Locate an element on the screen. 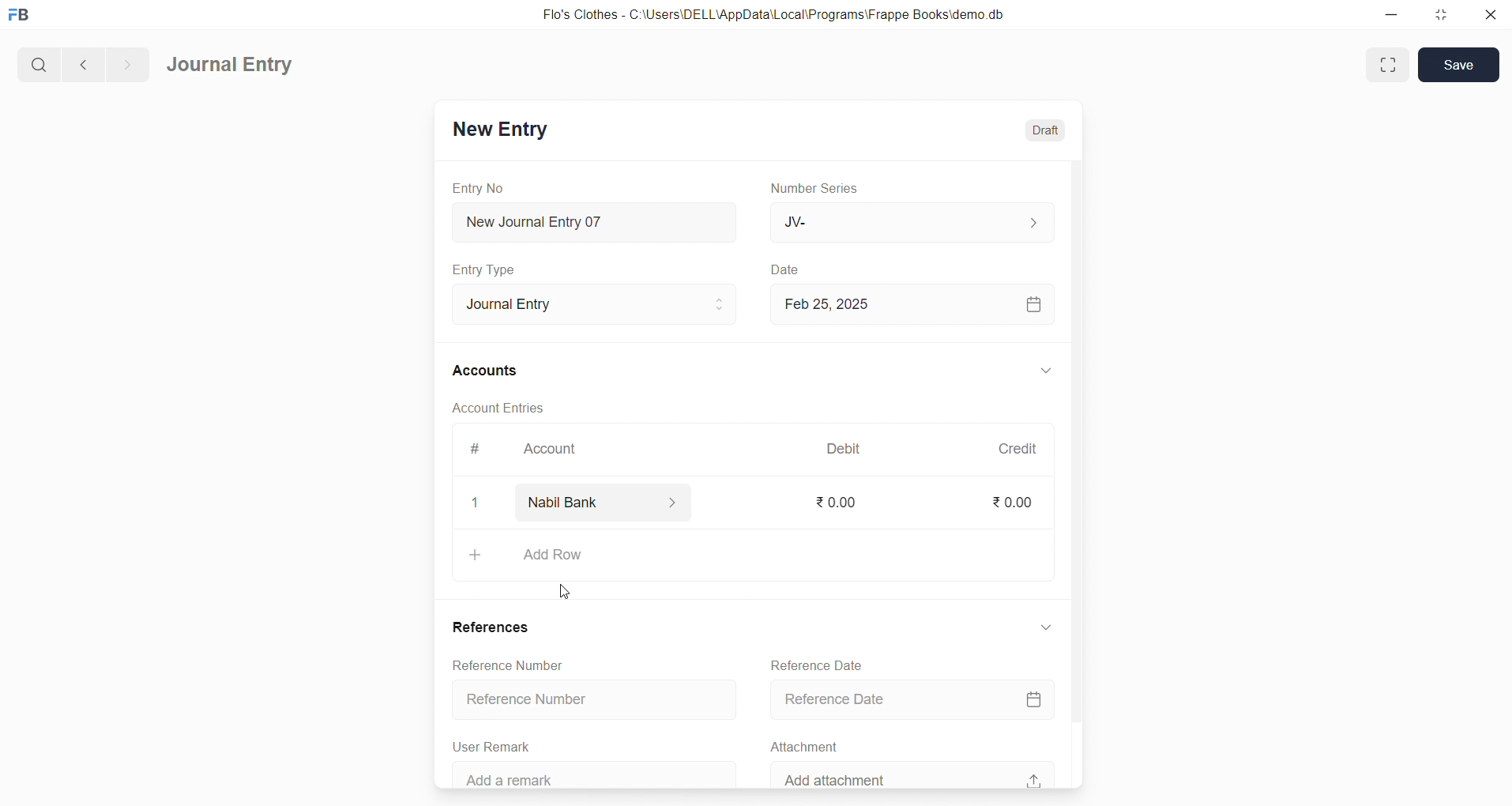 The image size is (1512, 806). Account is located at coordinates (553, 450).